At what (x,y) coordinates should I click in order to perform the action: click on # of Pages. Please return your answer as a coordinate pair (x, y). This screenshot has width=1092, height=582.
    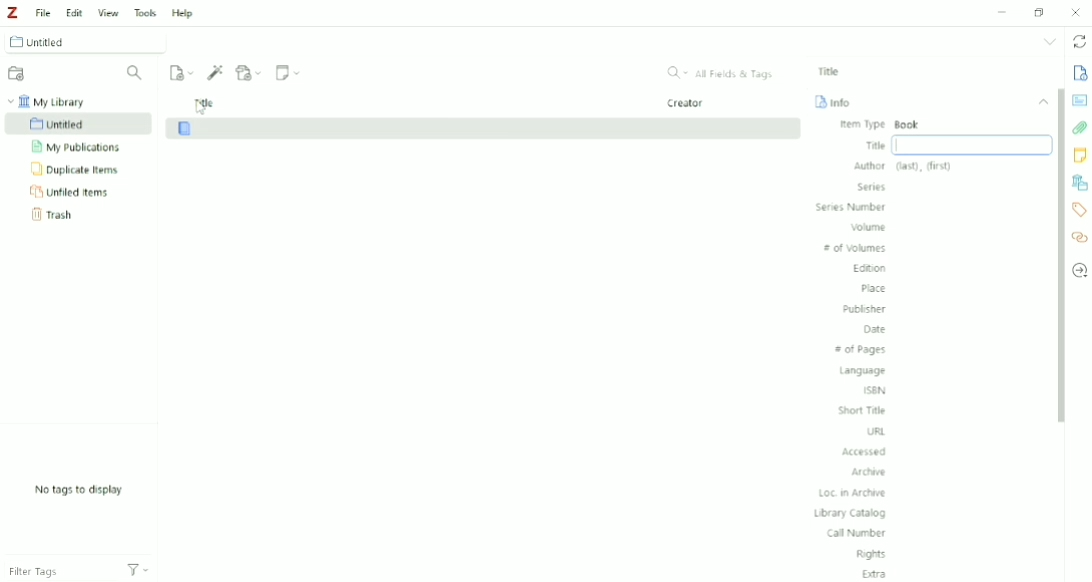
    Looking at the image, I should click on (860, 350).